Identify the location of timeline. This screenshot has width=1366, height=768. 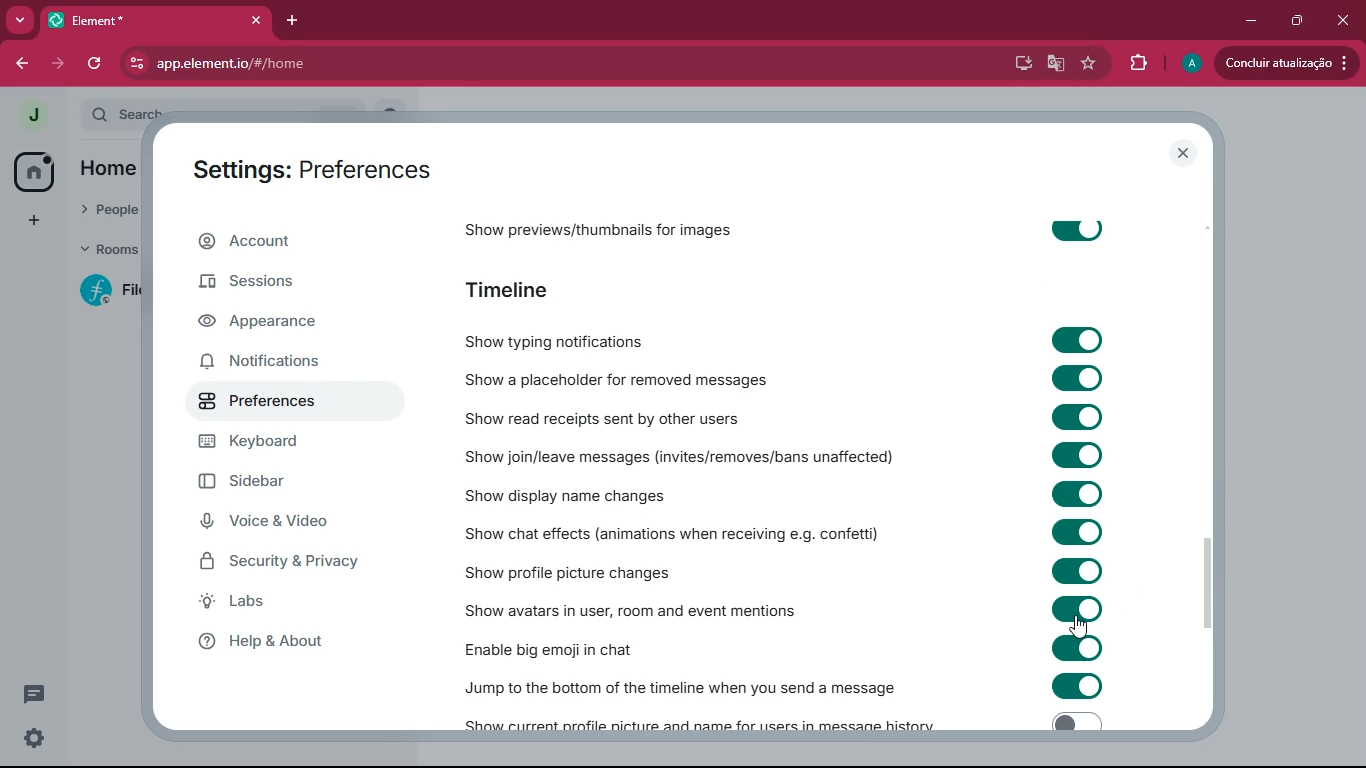
(519, 287).